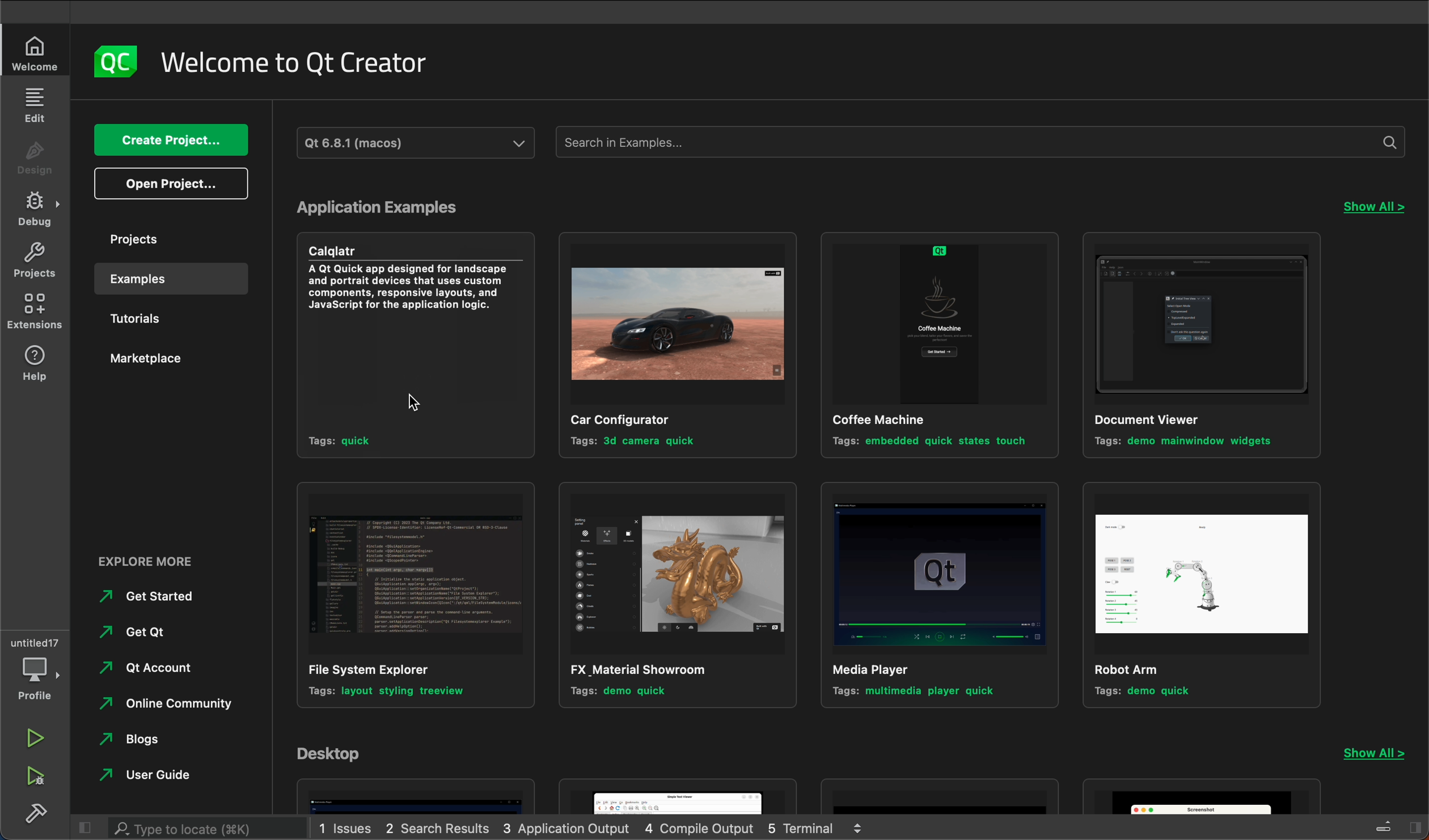  Describe the element at coordinates (151, 634) in the screenshot. I see `get qt` at that location.